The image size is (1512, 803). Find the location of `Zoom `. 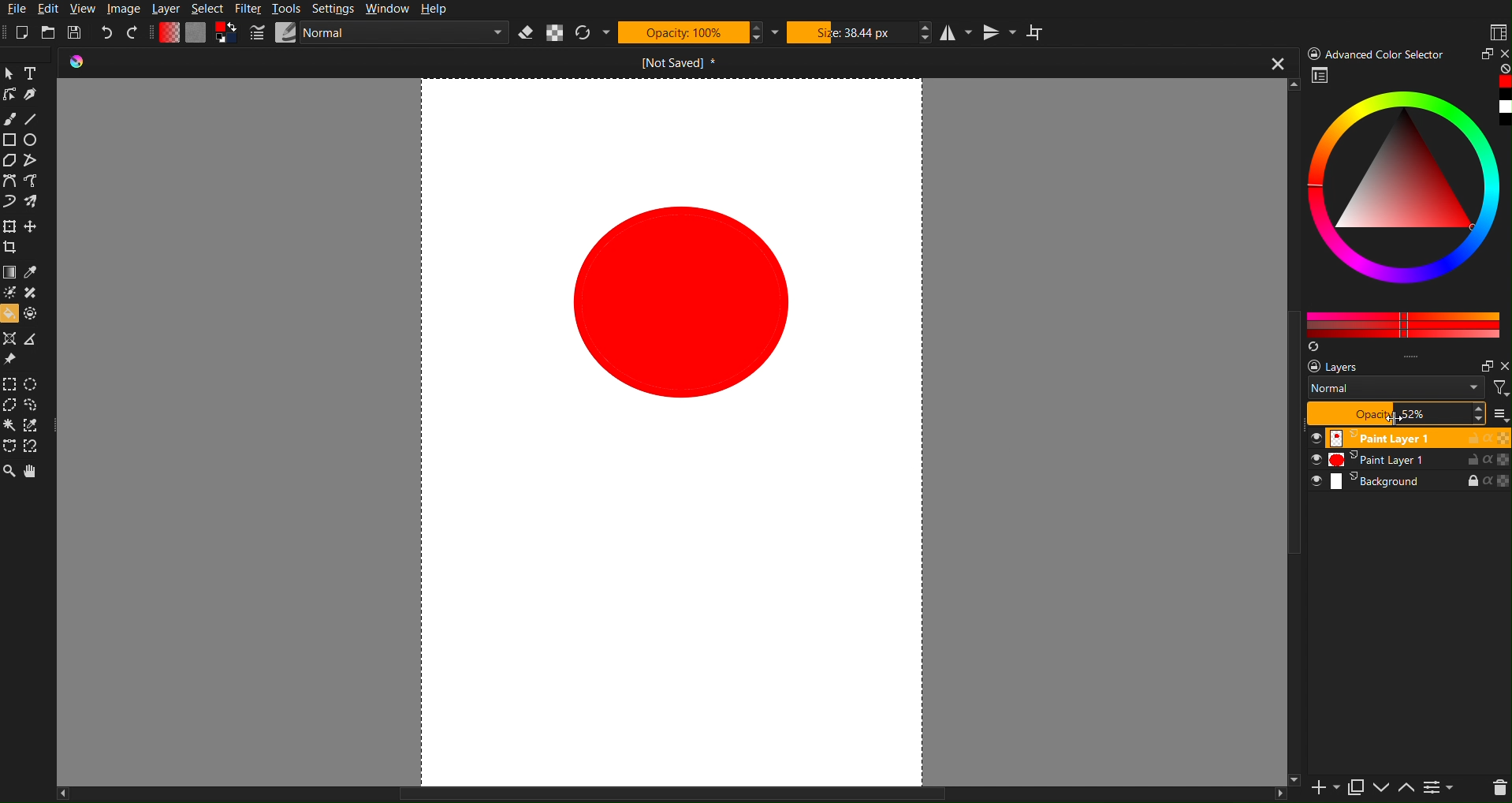

Zoom  is located at coordinates (9, 472).